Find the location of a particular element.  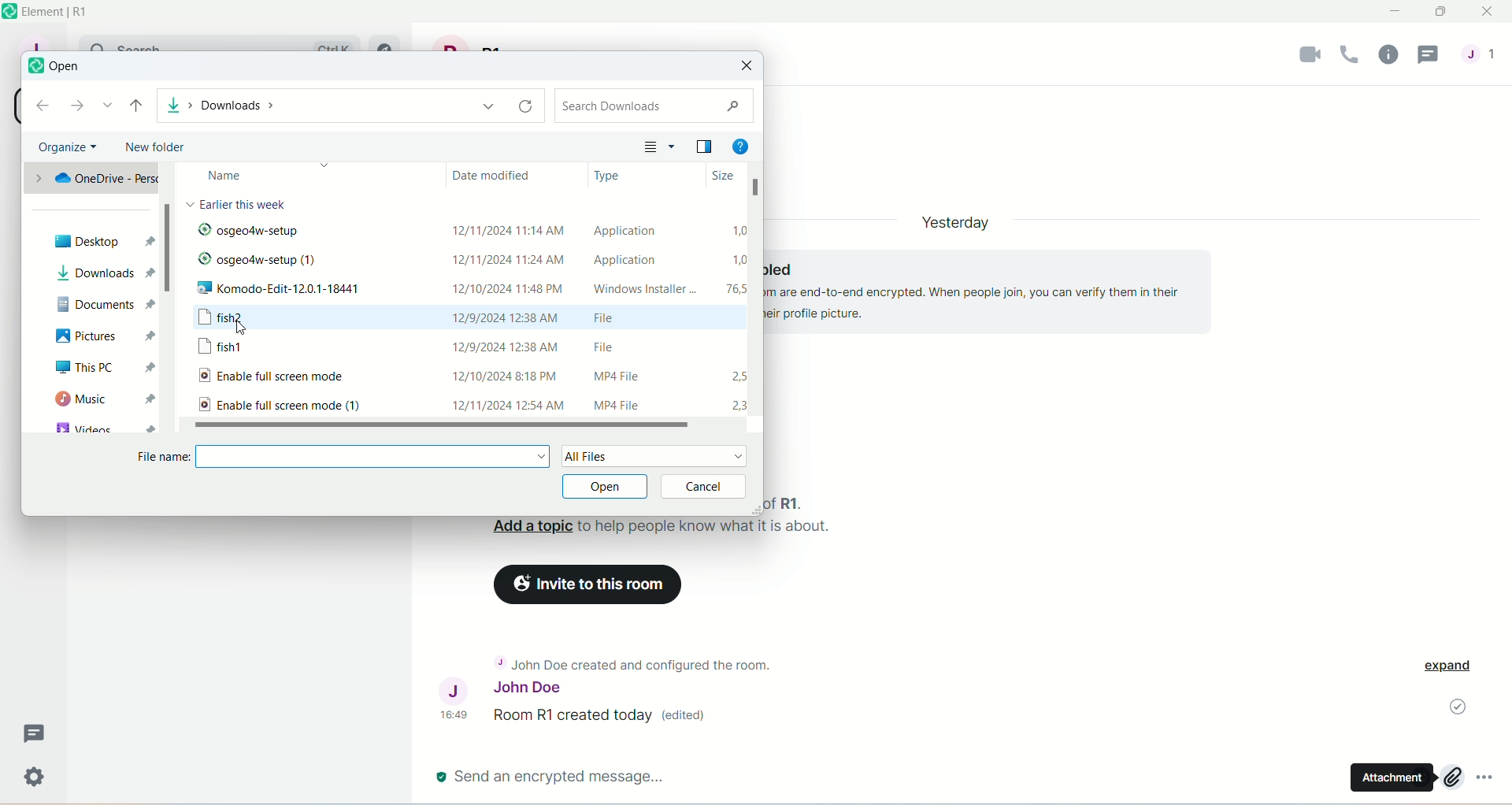

people is located at coordinates (1484, 61).